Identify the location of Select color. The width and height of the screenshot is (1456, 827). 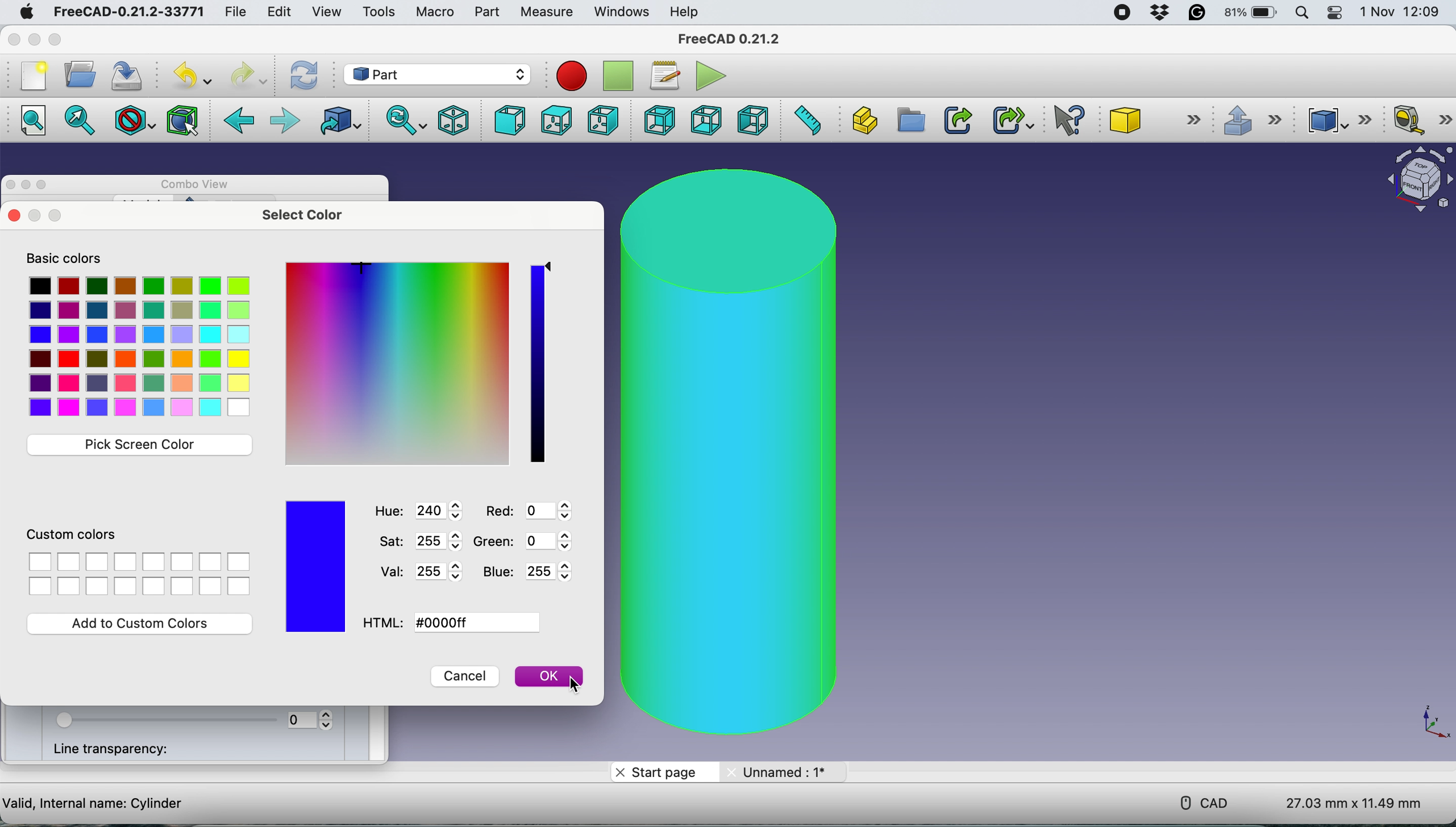
(140, 348).